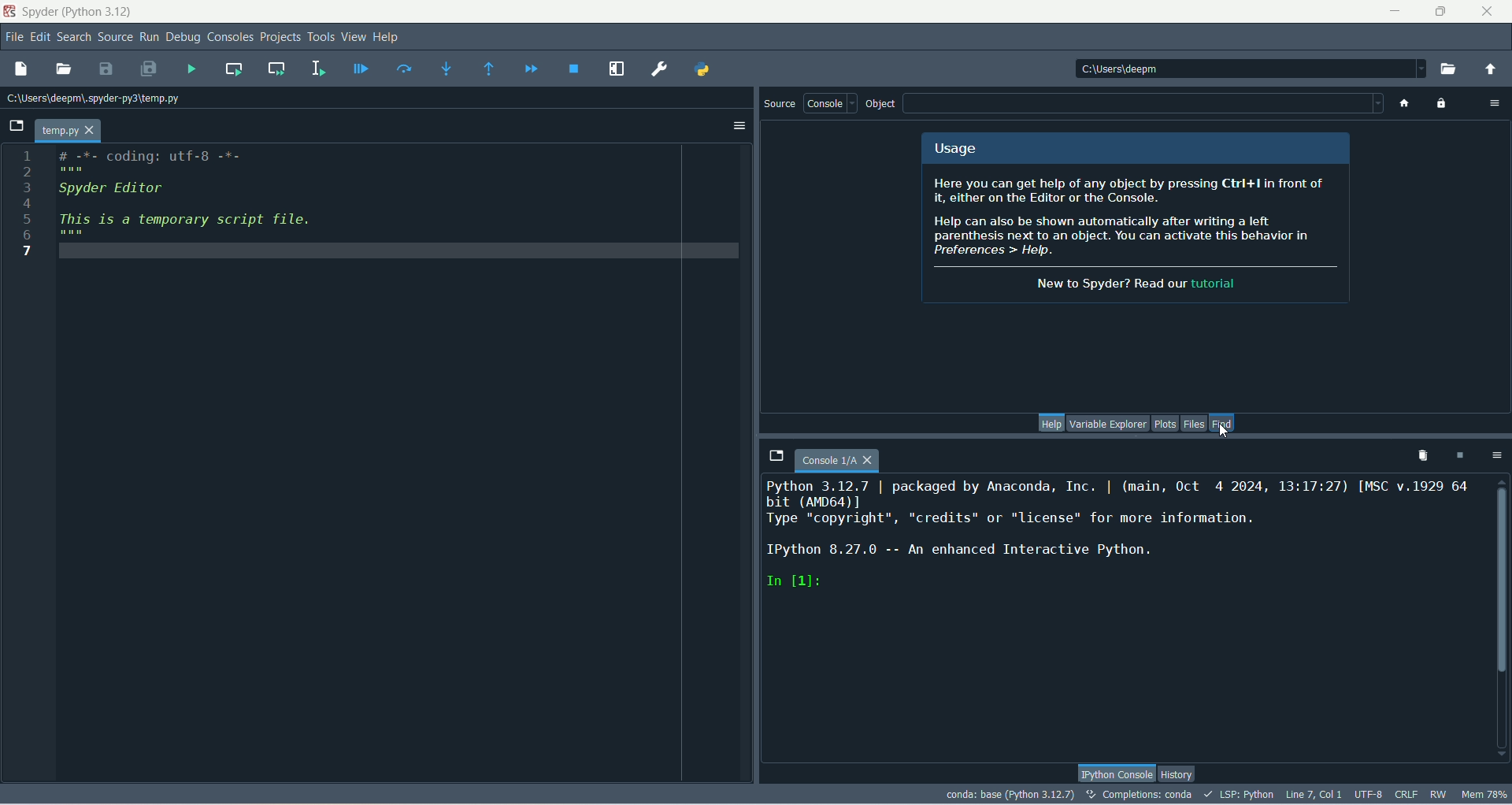 The height and width of the screenshot is (805, 1512). Describe the element at coordinates (1210, 284) in the screenshot. I see `tutorial link` at that location.